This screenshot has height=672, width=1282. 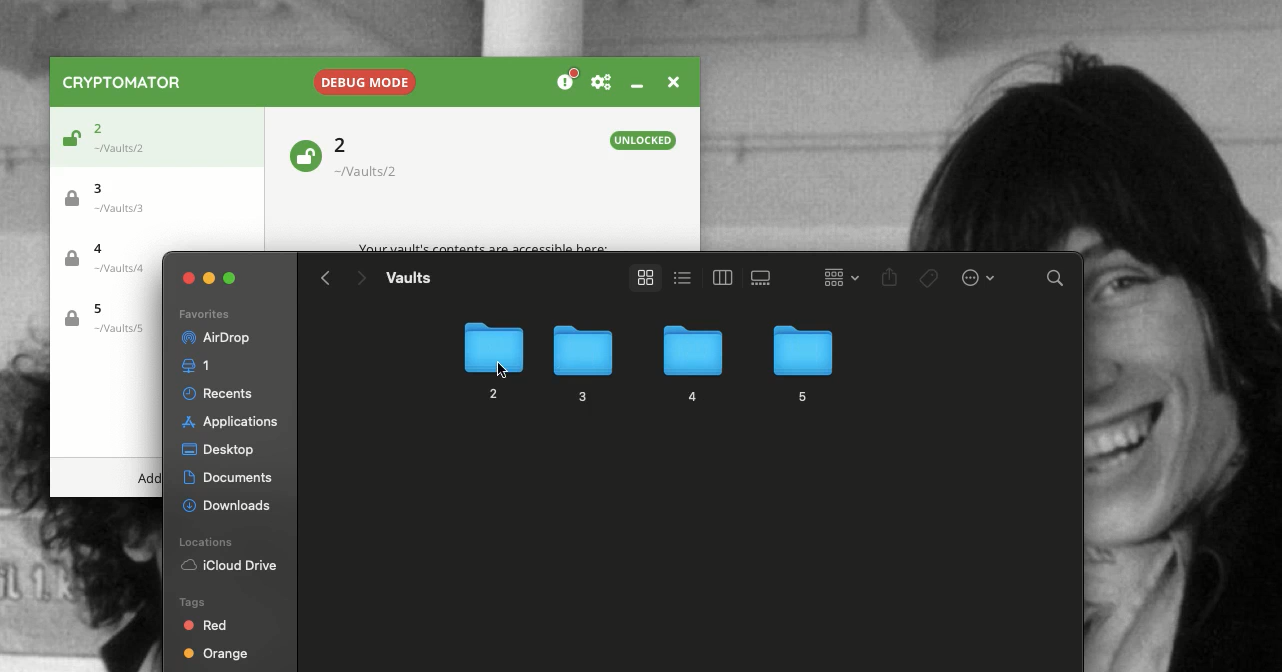 What do you see at coordinates (326, 278) in the screenshot?
I see `Back` at bounding box center [326, 278].